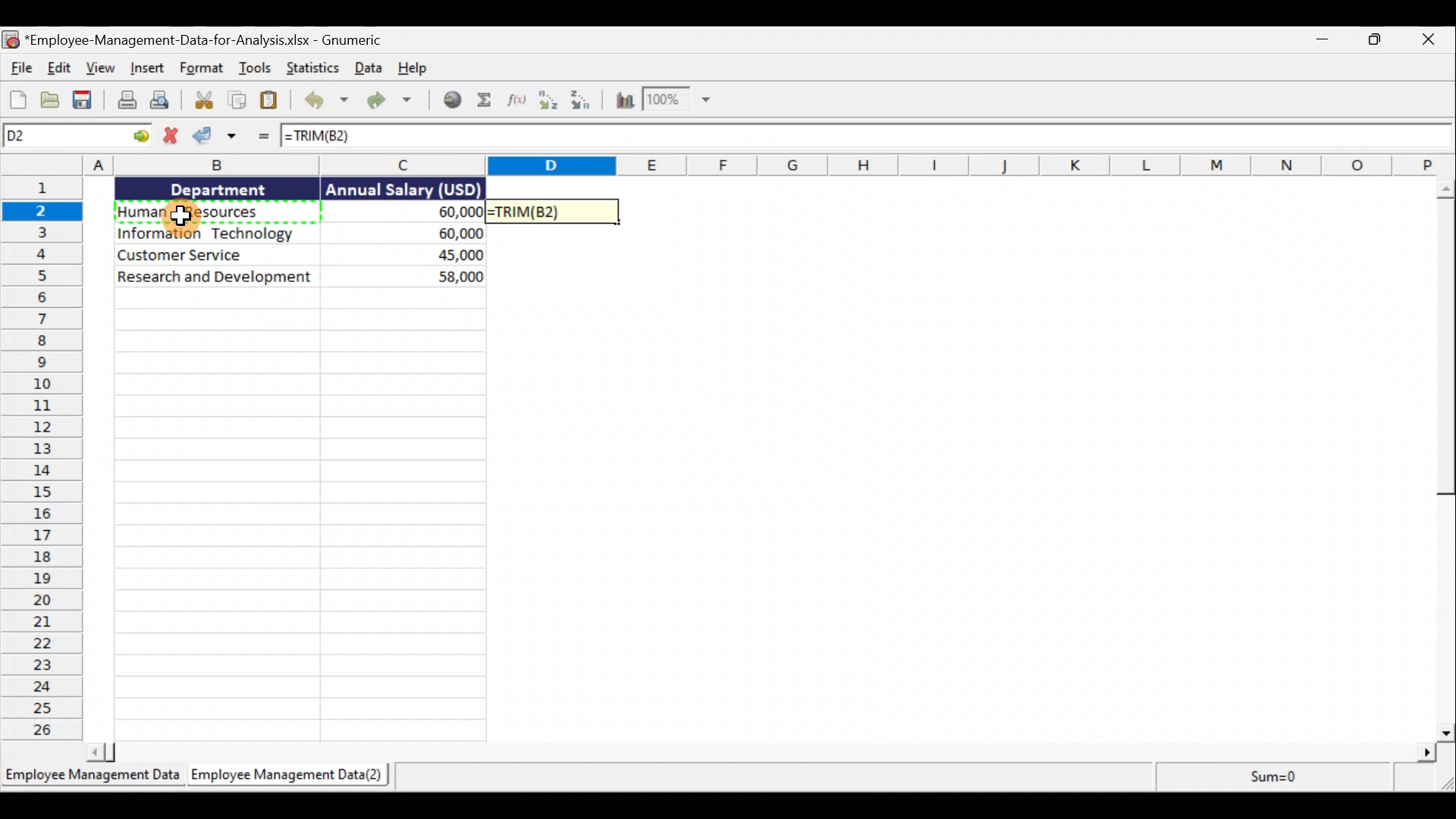 This screenshot has width=1456, height=819. Describe the element at coordinates (91, 777) in the screenshot. I see `Sheet 1` at that location.